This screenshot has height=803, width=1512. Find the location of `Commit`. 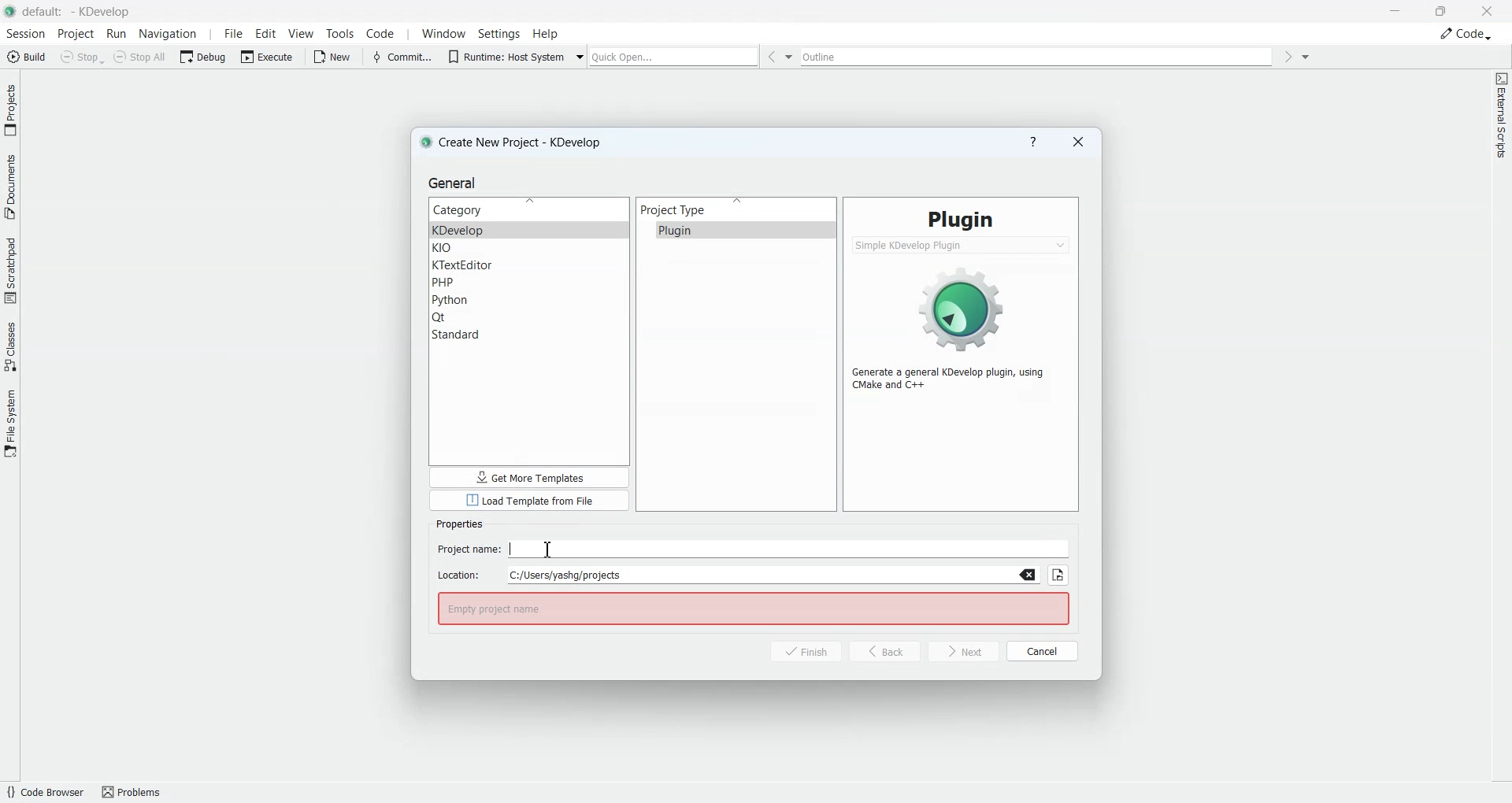

Commit is located at coordinates (401, 56).